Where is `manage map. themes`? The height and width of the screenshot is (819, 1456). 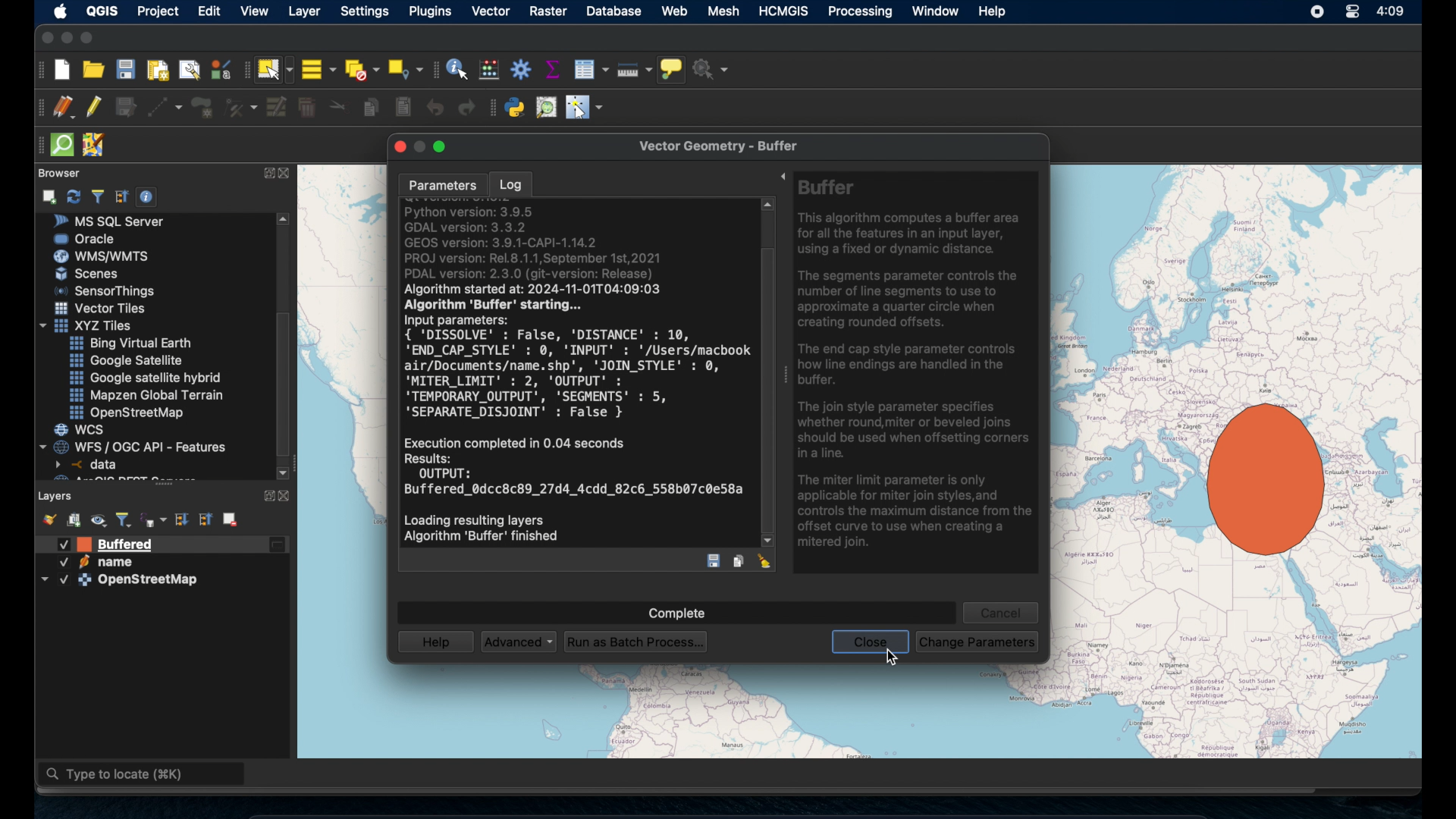 manage map. themes is located at coordinates (99, 521).